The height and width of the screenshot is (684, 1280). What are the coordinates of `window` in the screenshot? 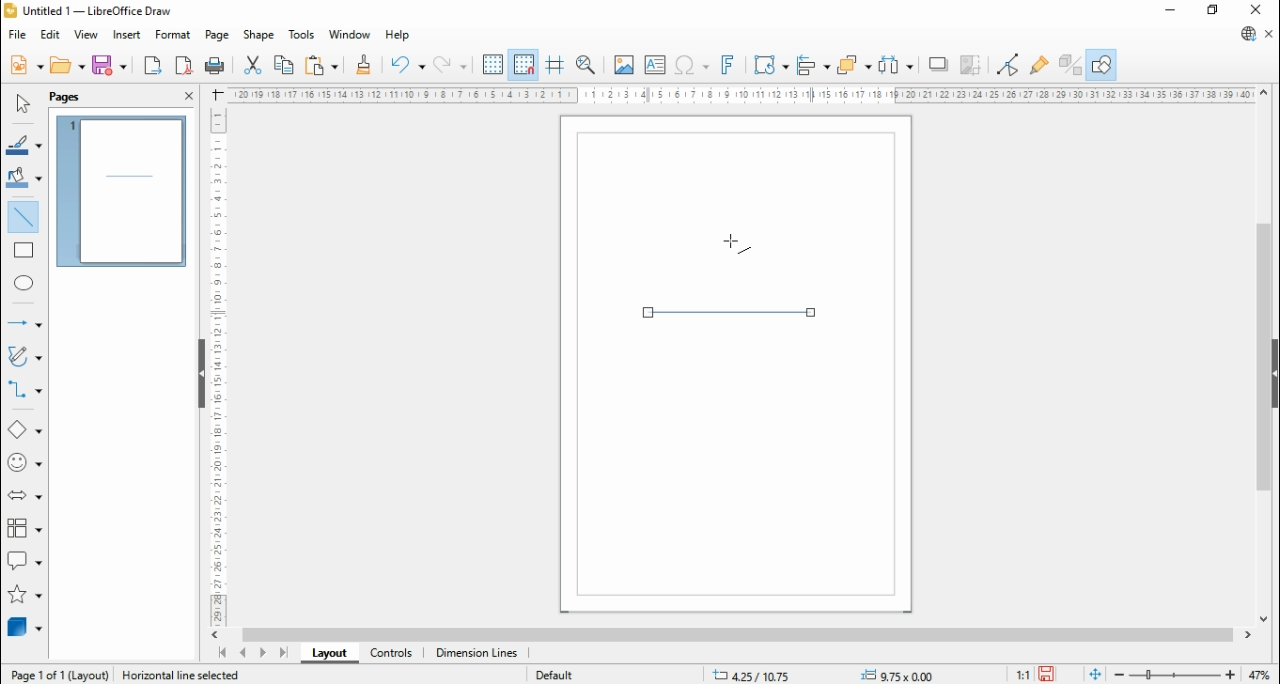 It's located at (349, 36).